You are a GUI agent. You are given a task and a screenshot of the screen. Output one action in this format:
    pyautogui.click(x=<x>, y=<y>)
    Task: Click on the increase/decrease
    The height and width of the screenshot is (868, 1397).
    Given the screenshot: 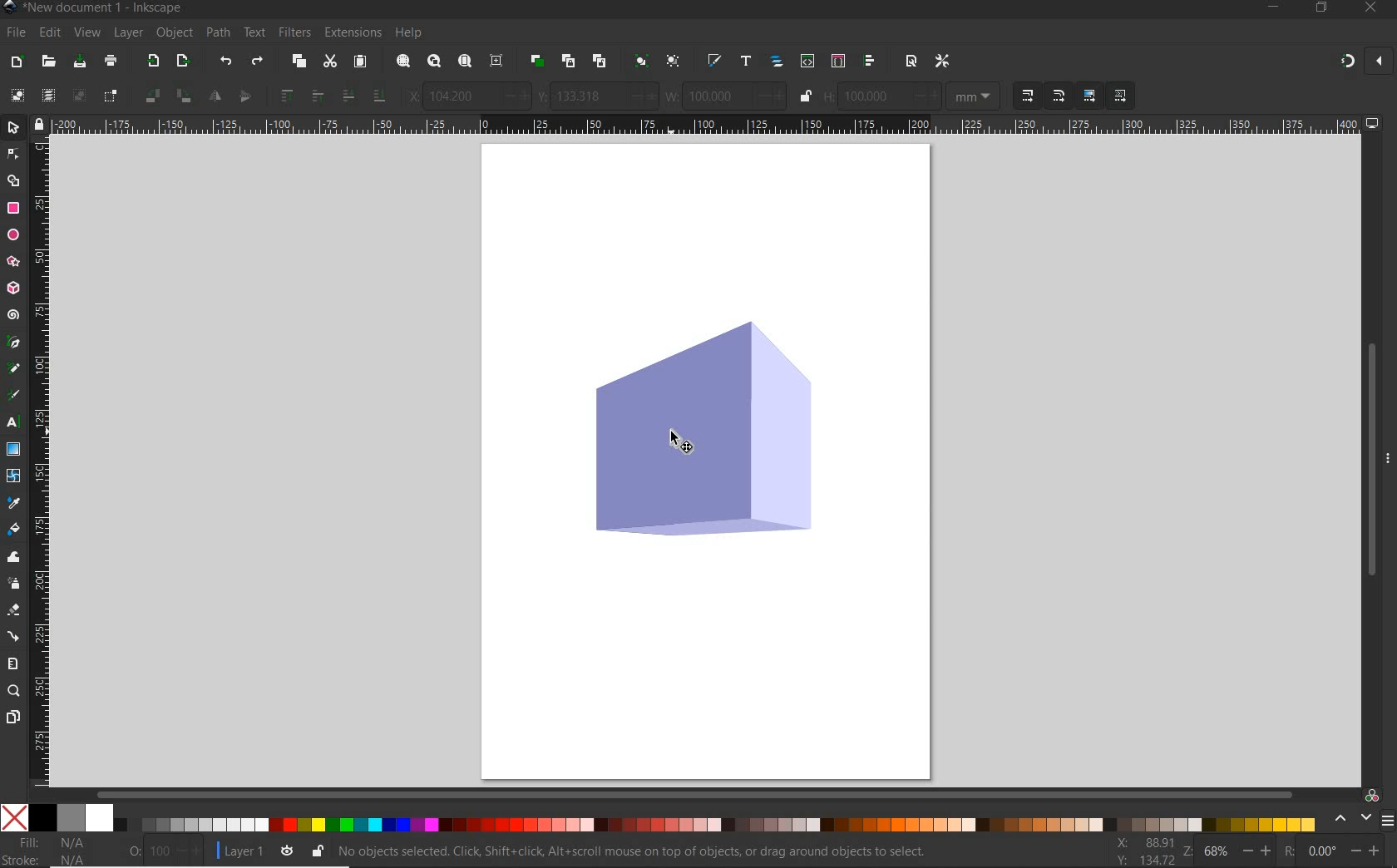 What is the action you would take?
    pyautogui.click(x=1369, y=851)
    